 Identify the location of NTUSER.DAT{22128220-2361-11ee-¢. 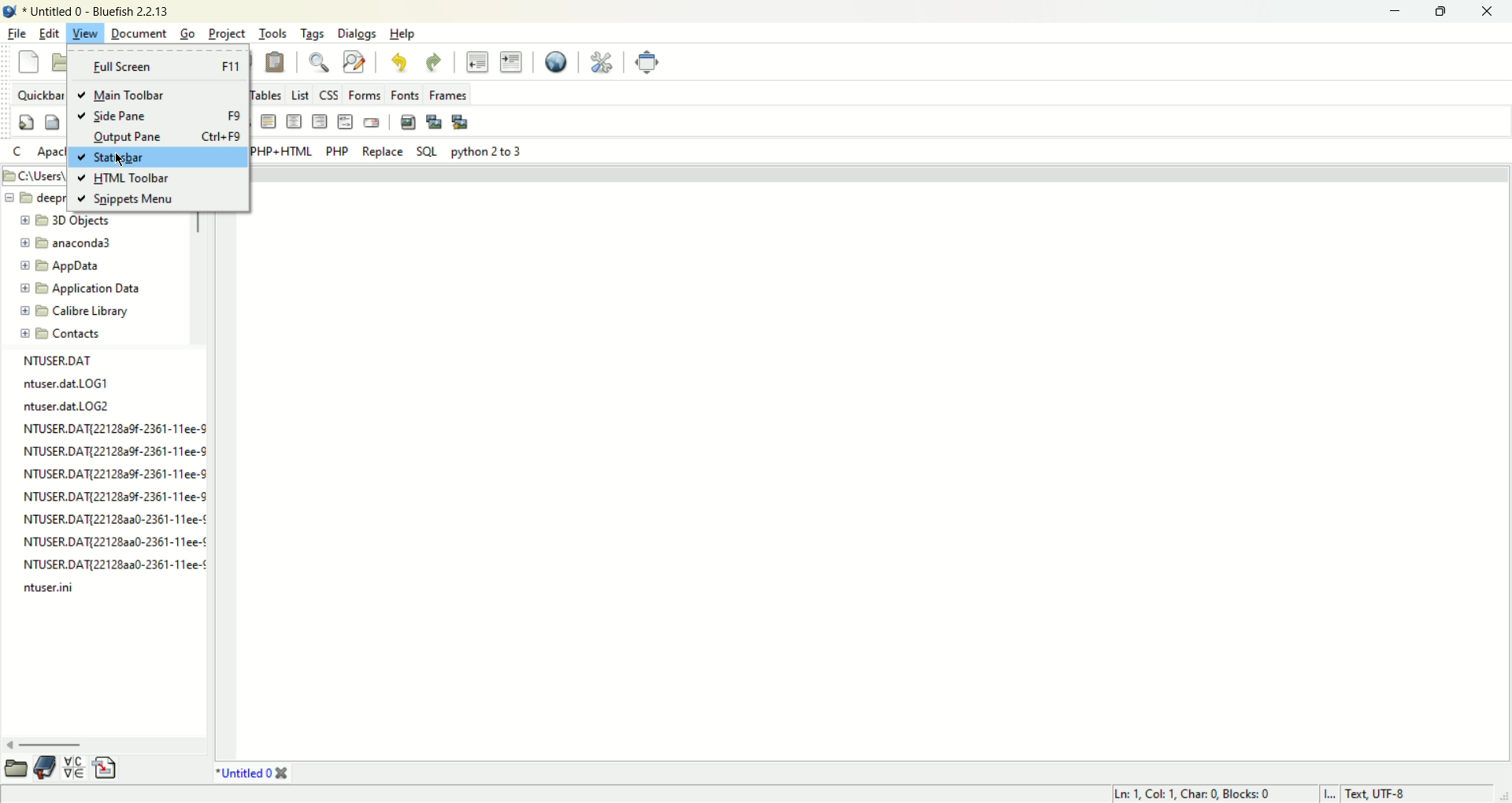
(113, 520).